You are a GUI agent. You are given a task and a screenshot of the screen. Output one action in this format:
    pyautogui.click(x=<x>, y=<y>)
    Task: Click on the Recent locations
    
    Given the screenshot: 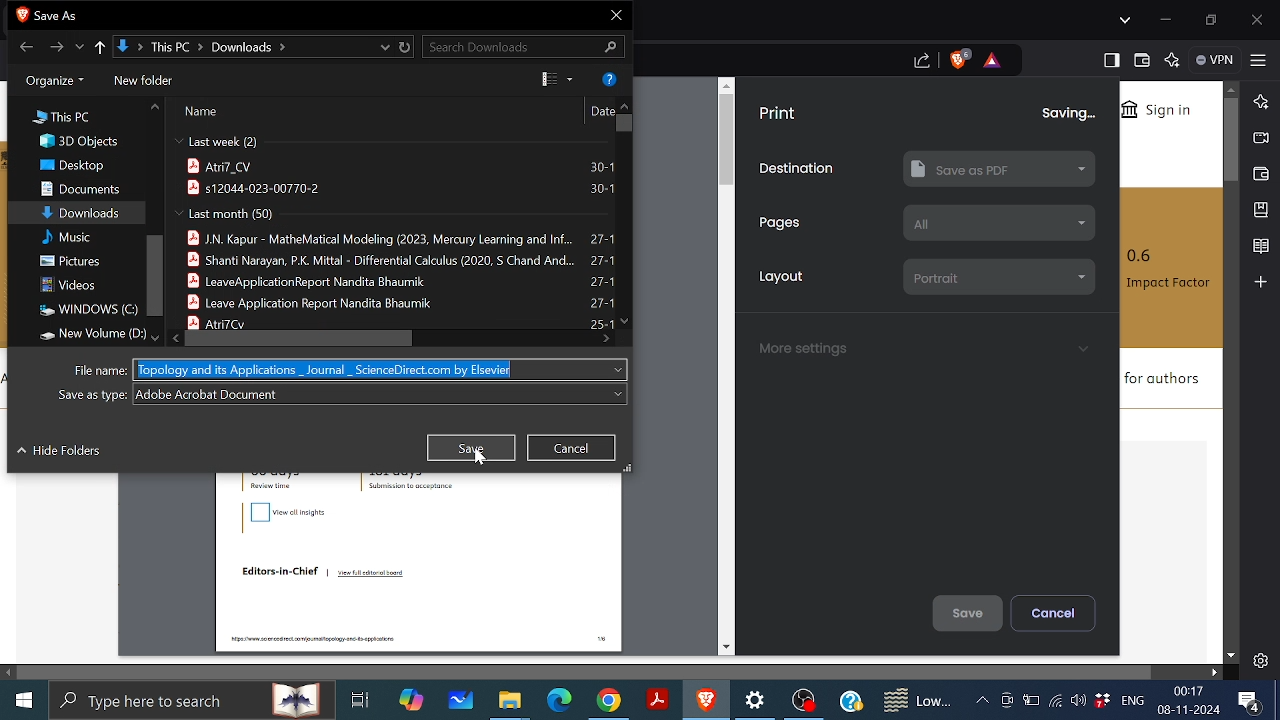 What is the action you would take?
    pyautogui.click(x=78, y=47)
    